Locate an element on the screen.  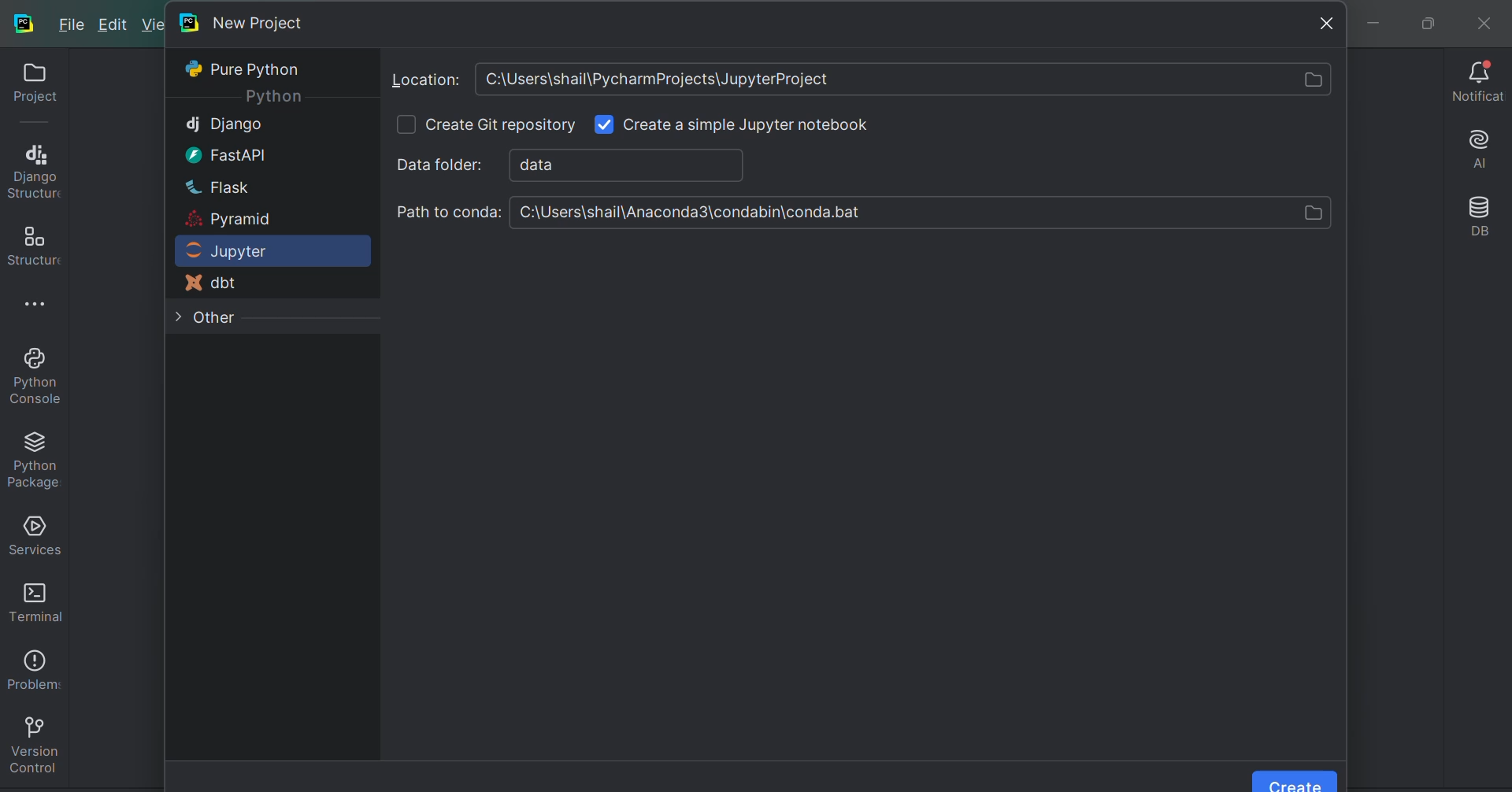
Edit is located at coordinates (113, 25).